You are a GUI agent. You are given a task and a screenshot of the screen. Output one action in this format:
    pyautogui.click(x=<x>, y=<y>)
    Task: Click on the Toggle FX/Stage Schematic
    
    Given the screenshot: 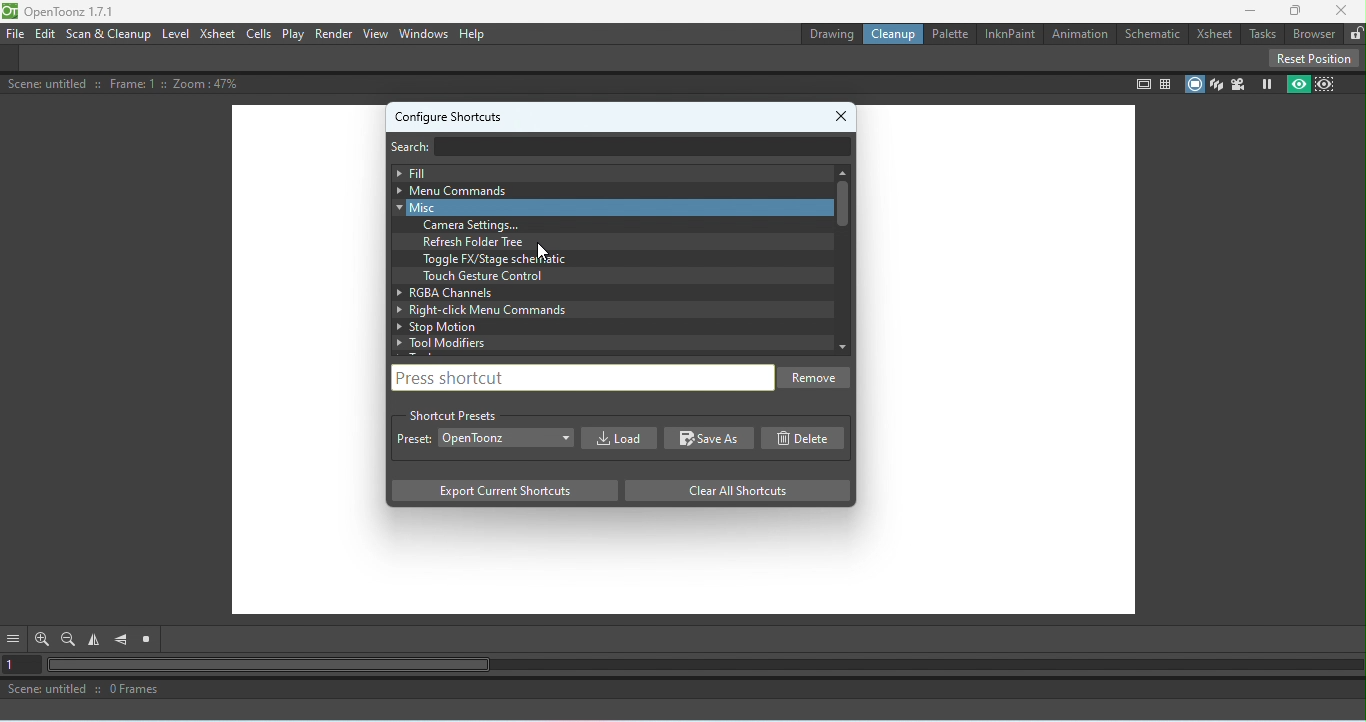 What is the action you would take?
    pyautogui.click(x=498, y=259)
    